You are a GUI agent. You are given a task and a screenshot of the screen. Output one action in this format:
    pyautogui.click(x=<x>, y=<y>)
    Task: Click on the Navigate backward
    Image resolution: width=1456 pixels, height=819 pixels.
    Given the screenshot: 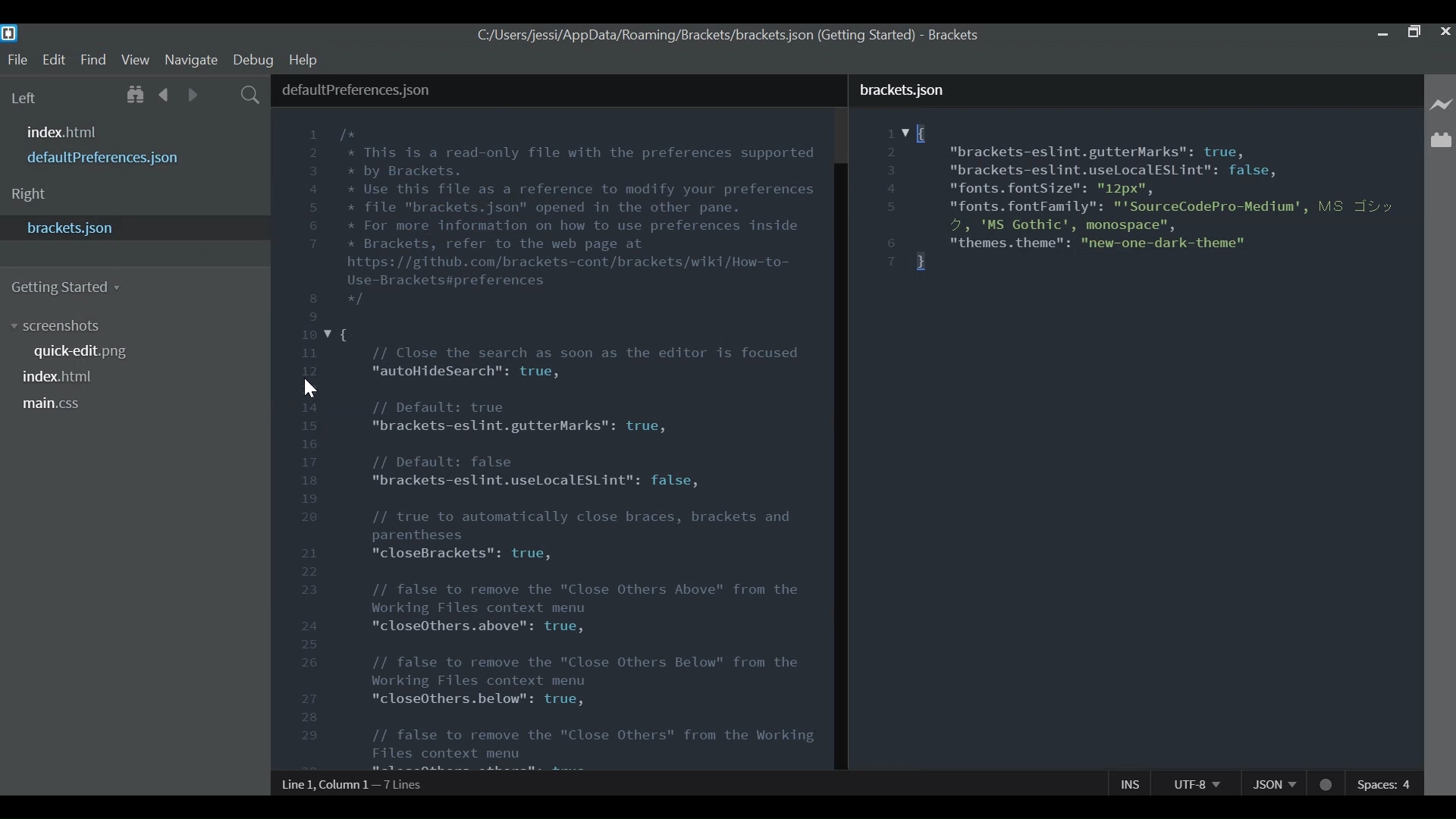 What is the action you would take?
    pyautogui.click(x=163, y=95)
    